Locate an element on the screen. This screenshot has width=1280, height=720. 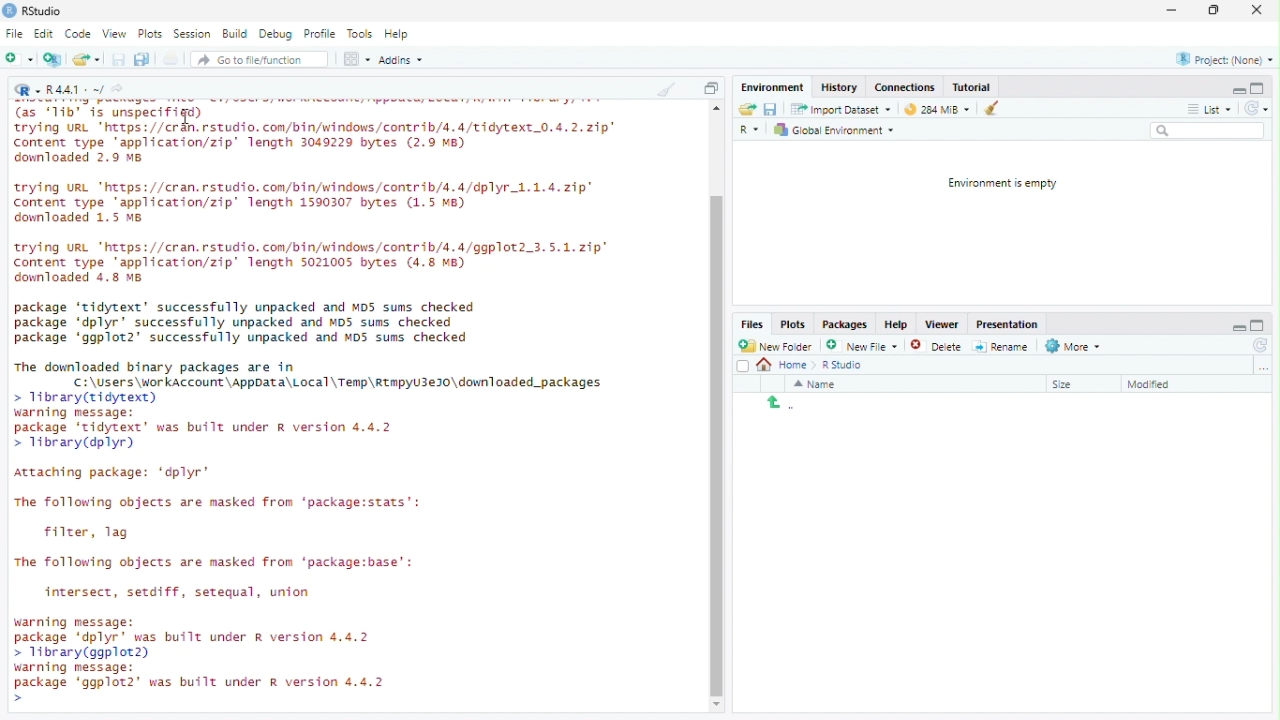
The following objects are masked from ‘package:base’:
intersect, setdiff, setequal, union is located at coordinates (221, 579).